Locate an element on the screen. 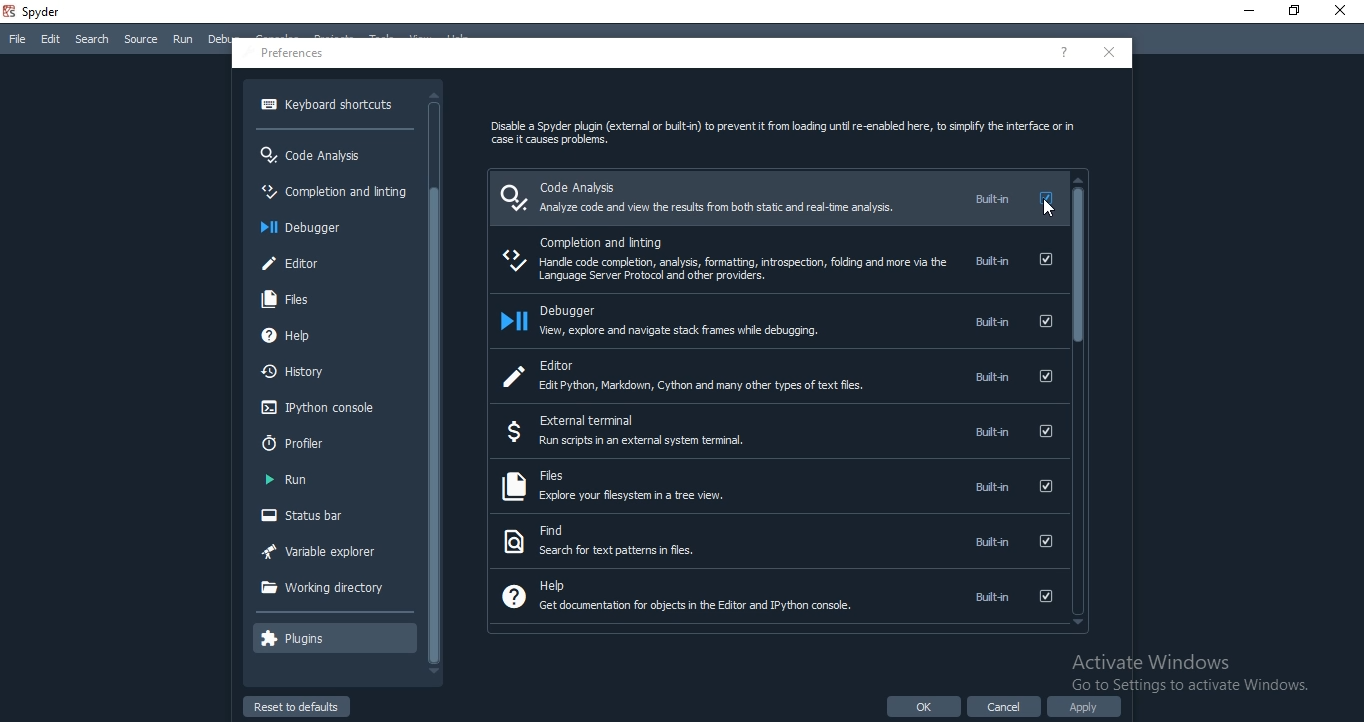 The height and width of the screenshot is (722, 1364). ok is located at coordinates (922, 707).